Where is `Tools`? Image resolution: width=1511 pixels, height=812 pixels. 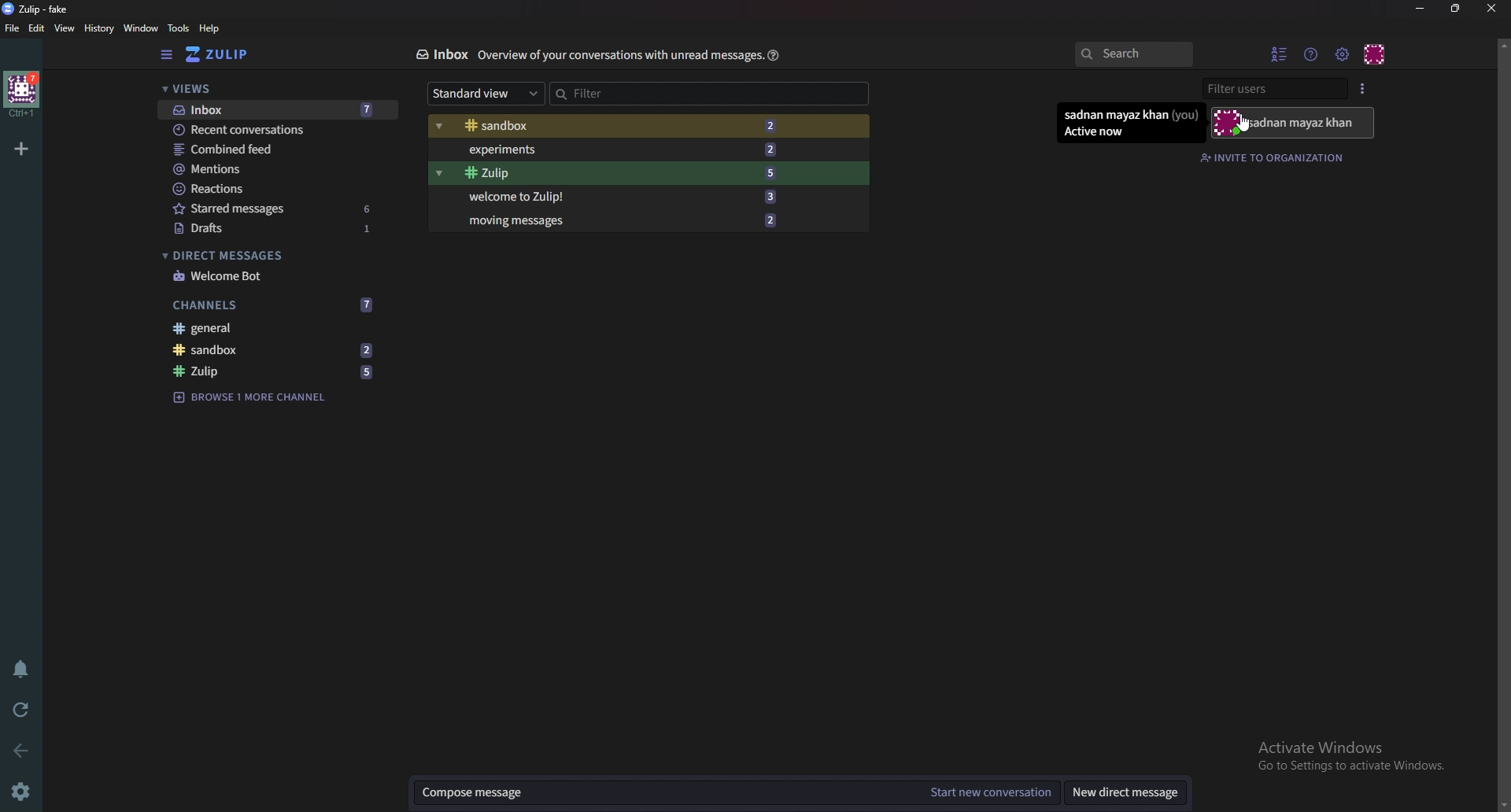
Tools is located at coordinates (179, 28).